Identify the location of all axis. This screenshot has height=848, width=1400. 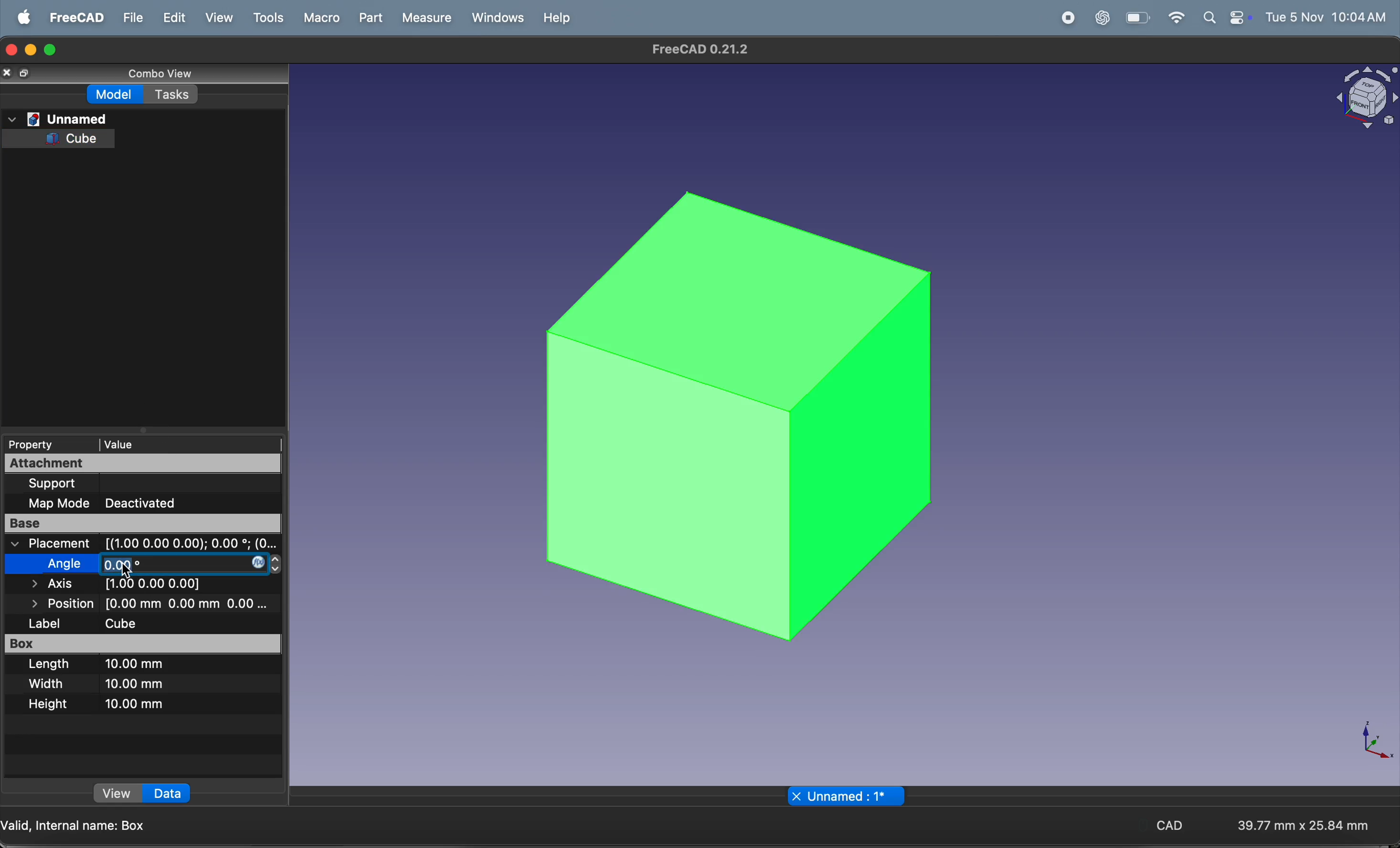
(190, 584).